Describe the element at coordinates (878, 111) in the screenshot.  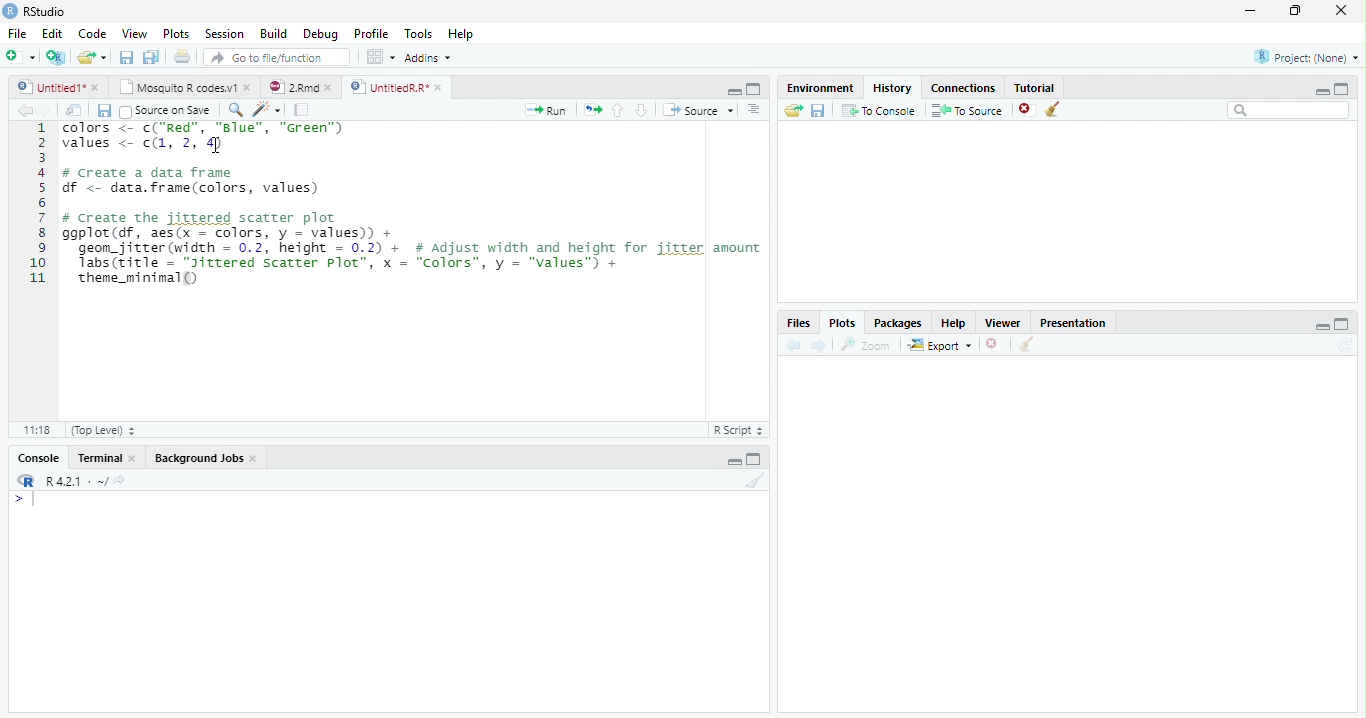
I see `To Console` at that location.